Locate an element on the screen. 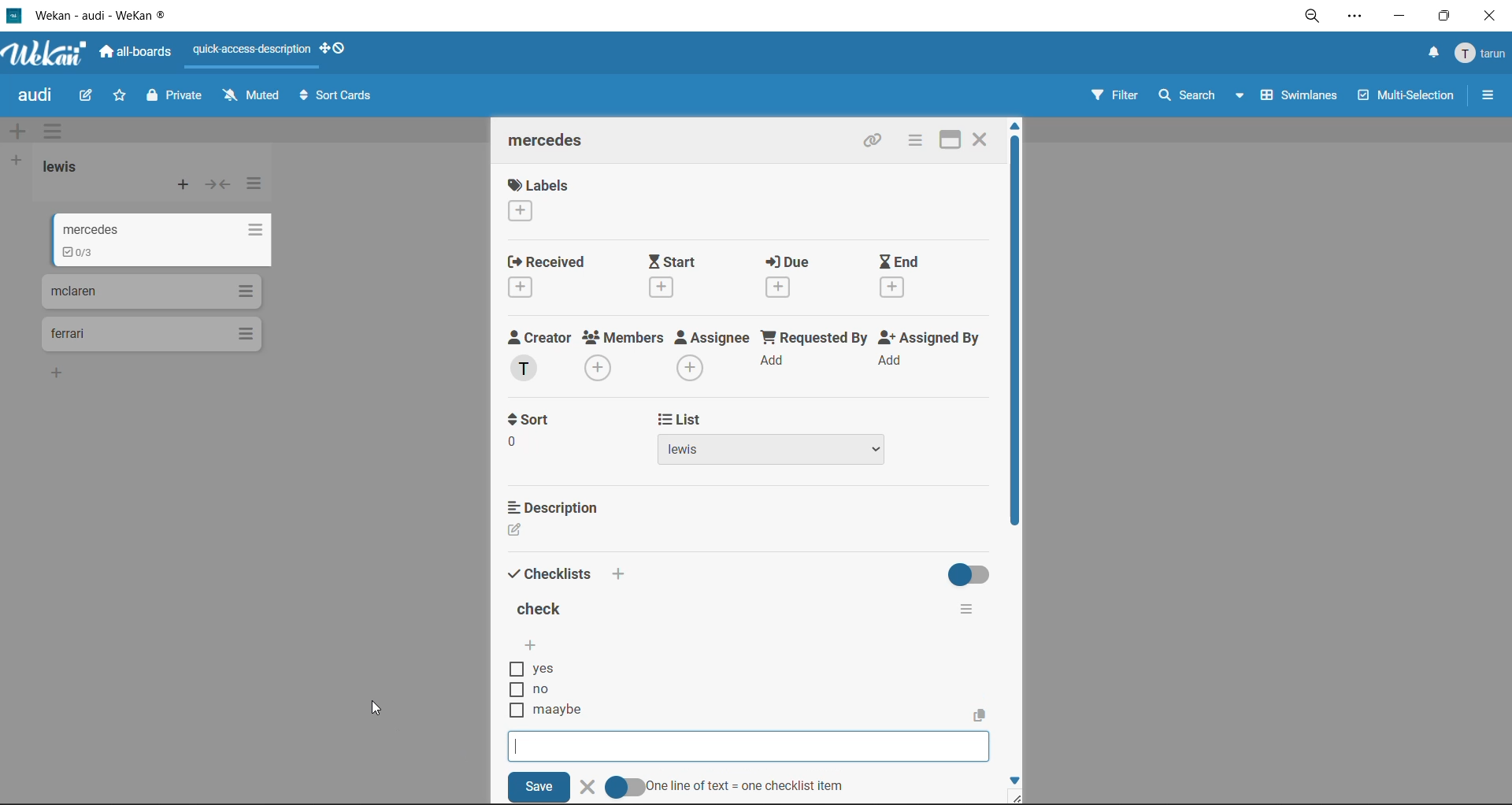 The height and width of the screenshot is (805, 1512). filter is located at coordinates (1120, 97).